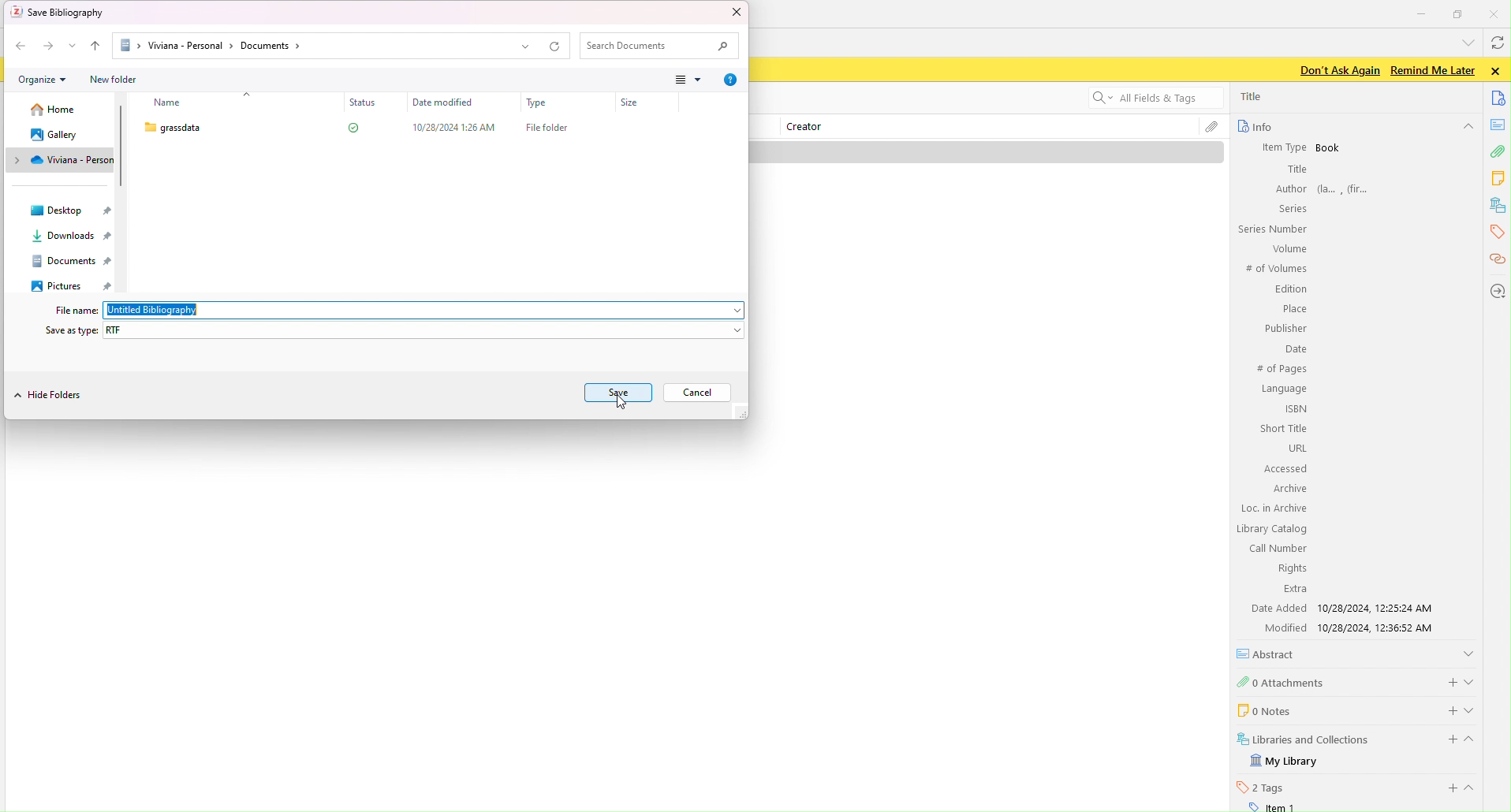 The height and width of the screenshot is (812, 1511). What do you see at coordinates (660, 47) in the screenshot?
I see `Search Documents` at bounding box center [660, 47].